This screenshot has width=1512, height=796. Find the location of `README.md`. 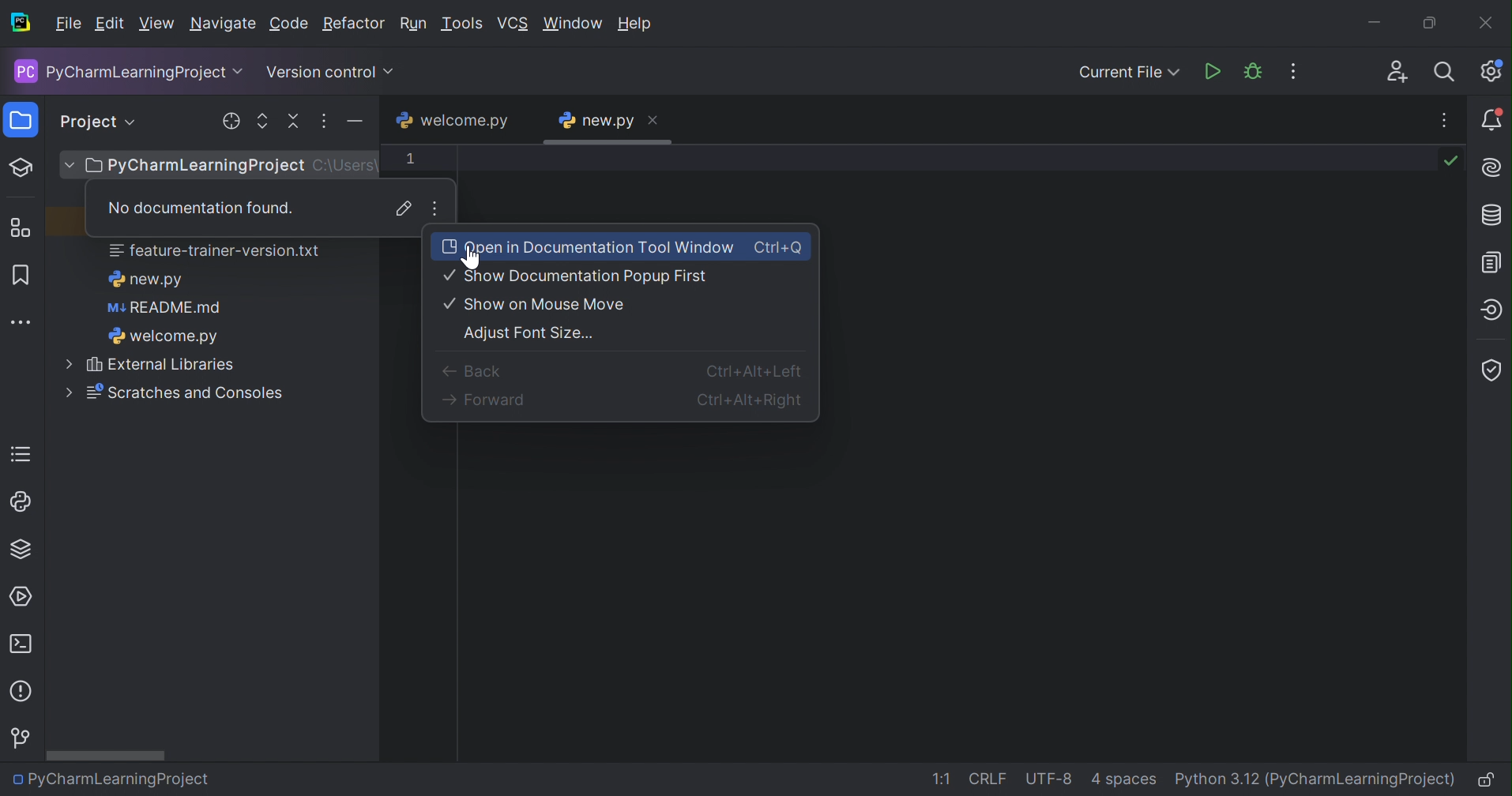

README.md is located at coordinates (164, 310).